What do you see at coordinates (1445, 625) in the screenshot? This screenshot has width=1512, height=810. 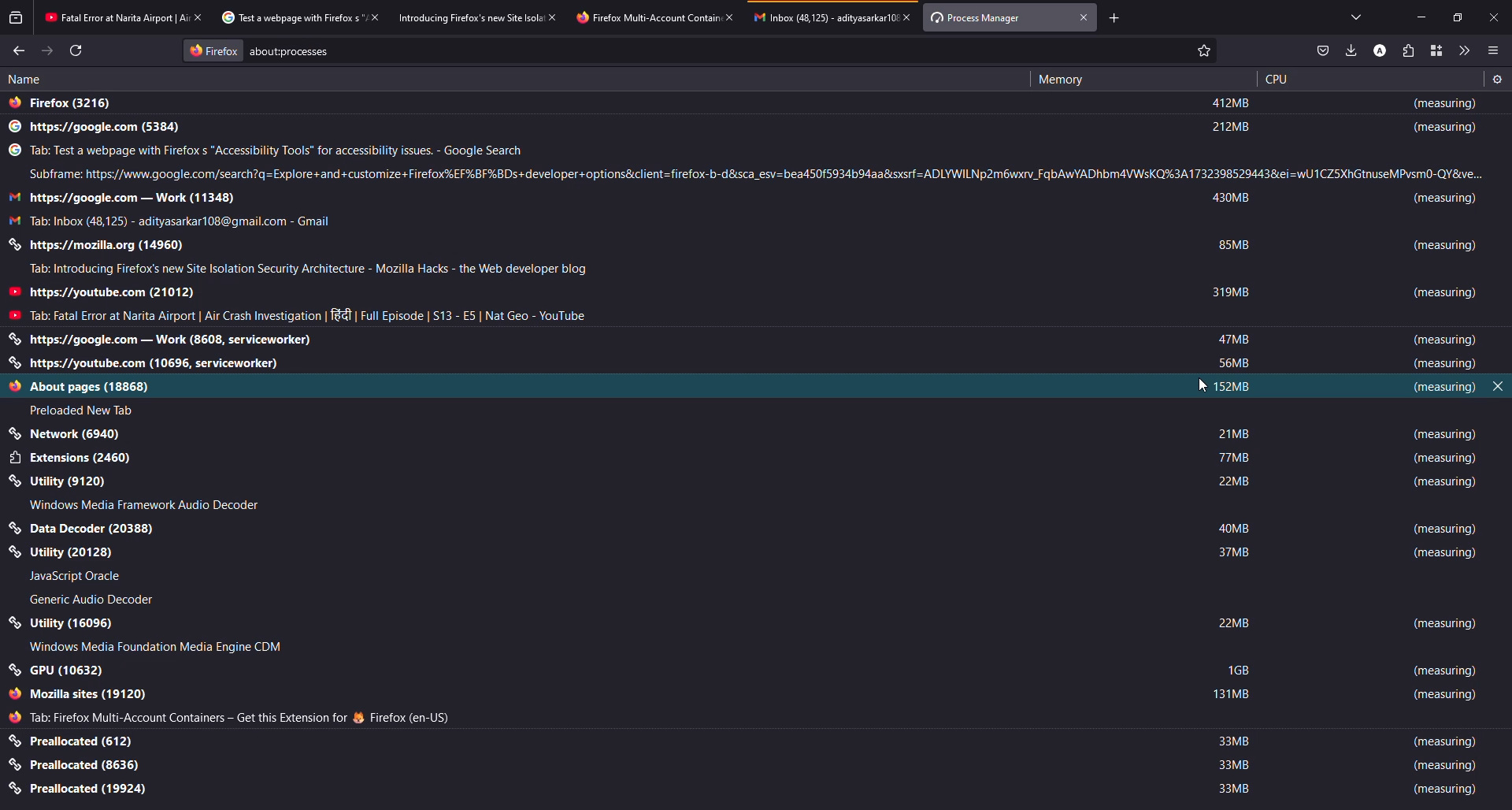 I see `measuring` at bounding box center [1445, 625].